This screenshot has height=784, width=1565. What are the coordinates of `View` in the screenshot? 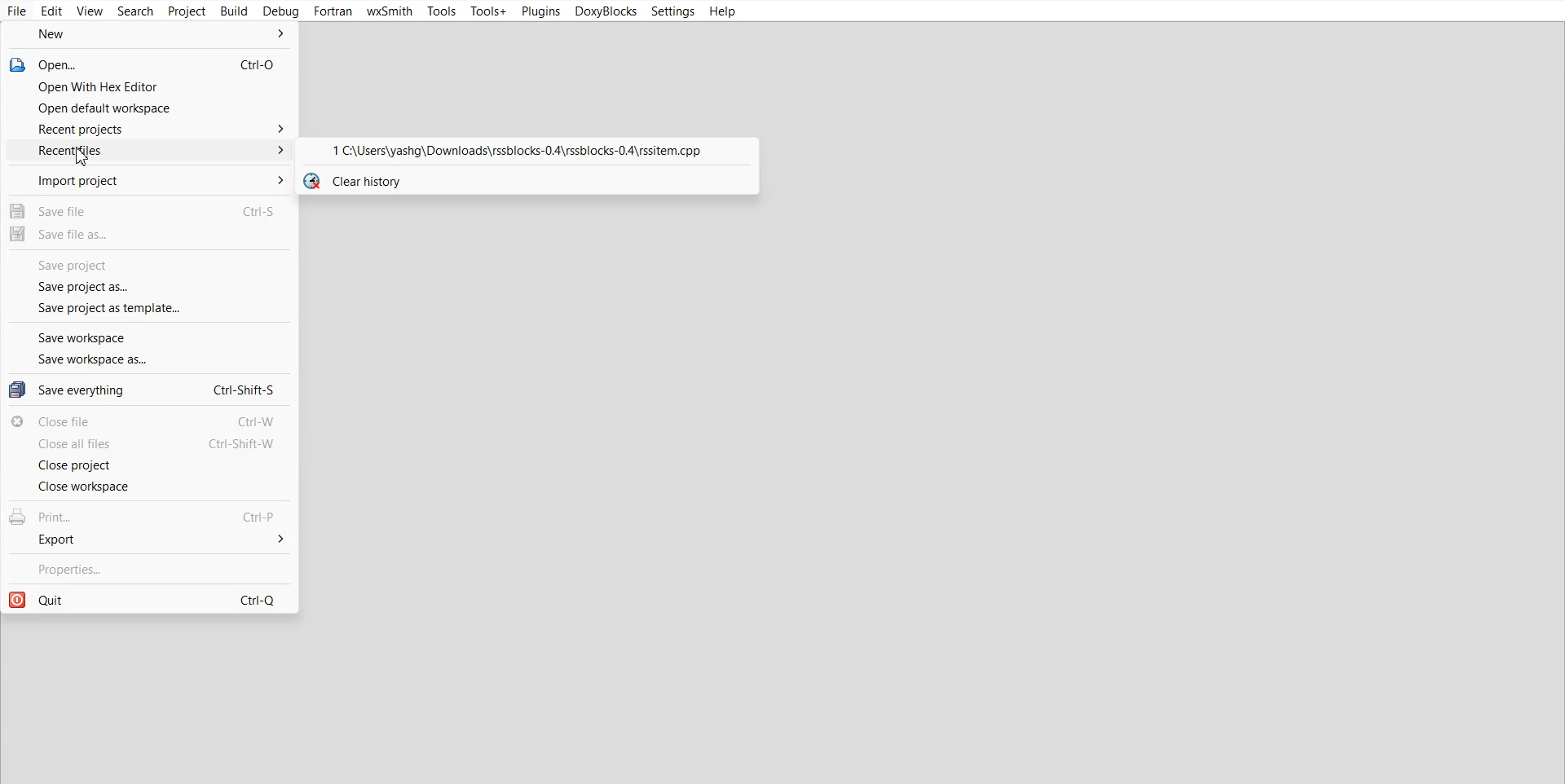 It's located at (90, 11).